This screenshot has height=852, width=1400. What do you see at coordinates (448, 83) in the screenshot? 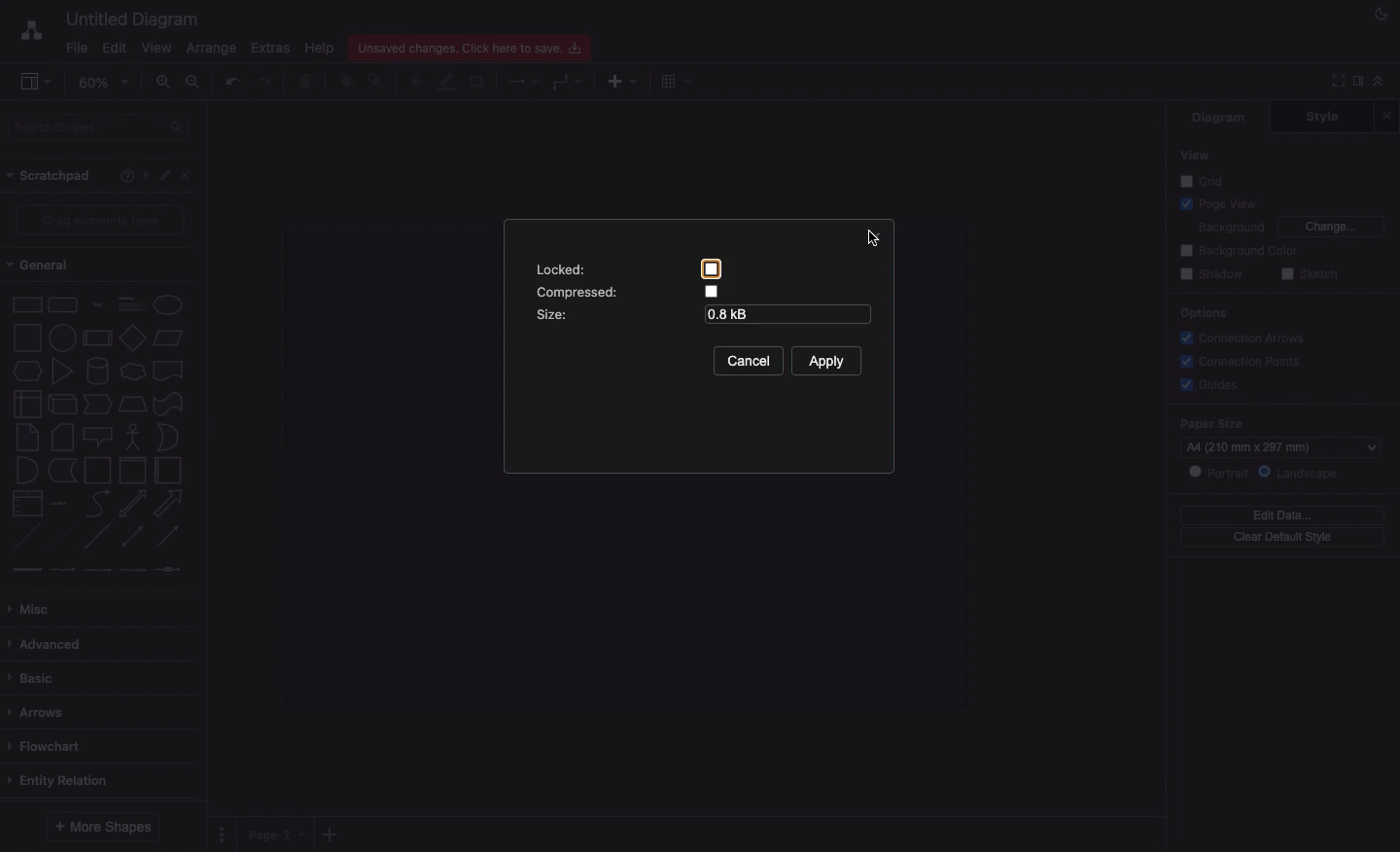
I see `Line fill` at bounding box center [448, 83].